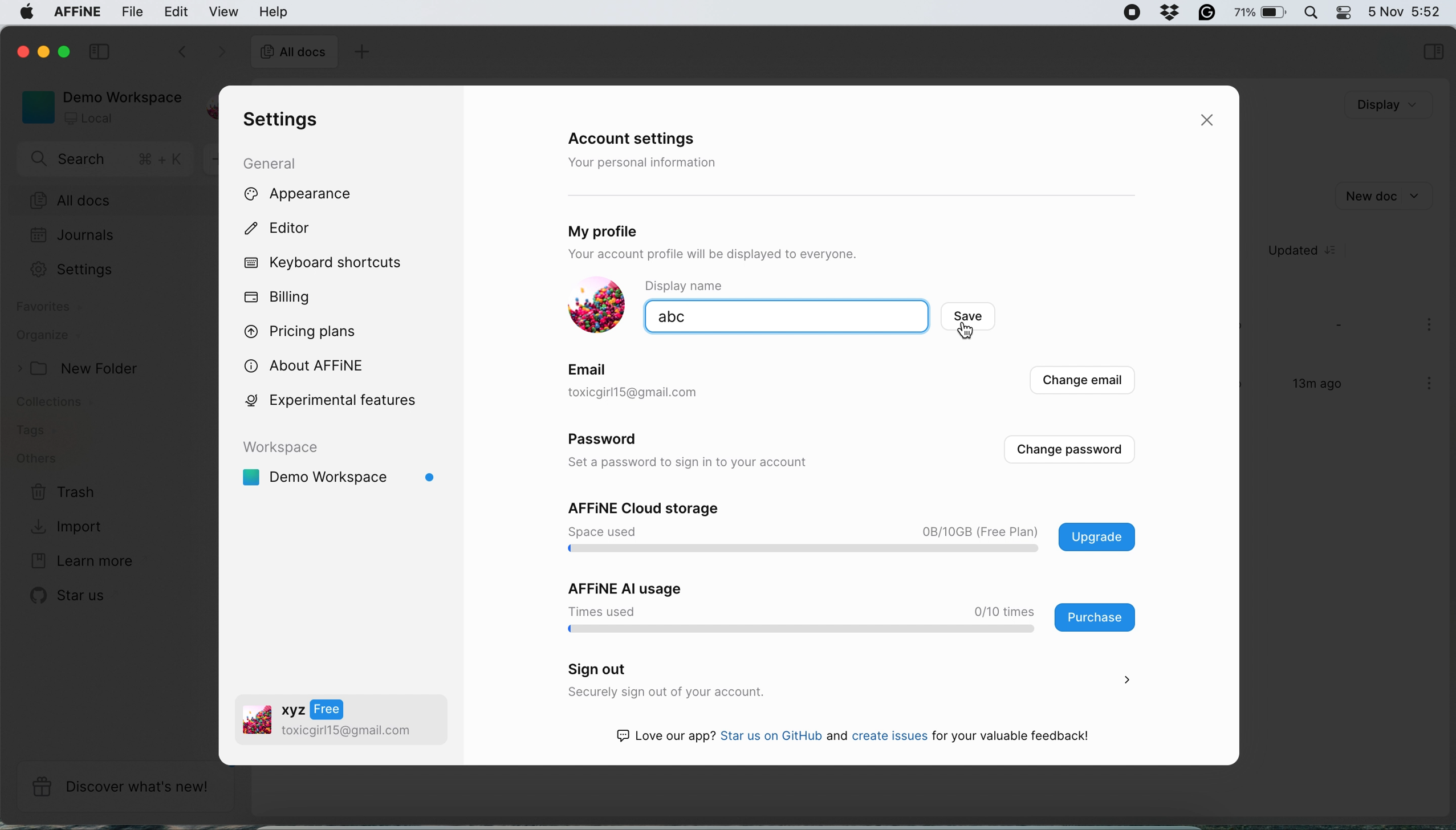  Describe the element at coordinates (48, 337) in the screenshot. I see `organize` at that location.